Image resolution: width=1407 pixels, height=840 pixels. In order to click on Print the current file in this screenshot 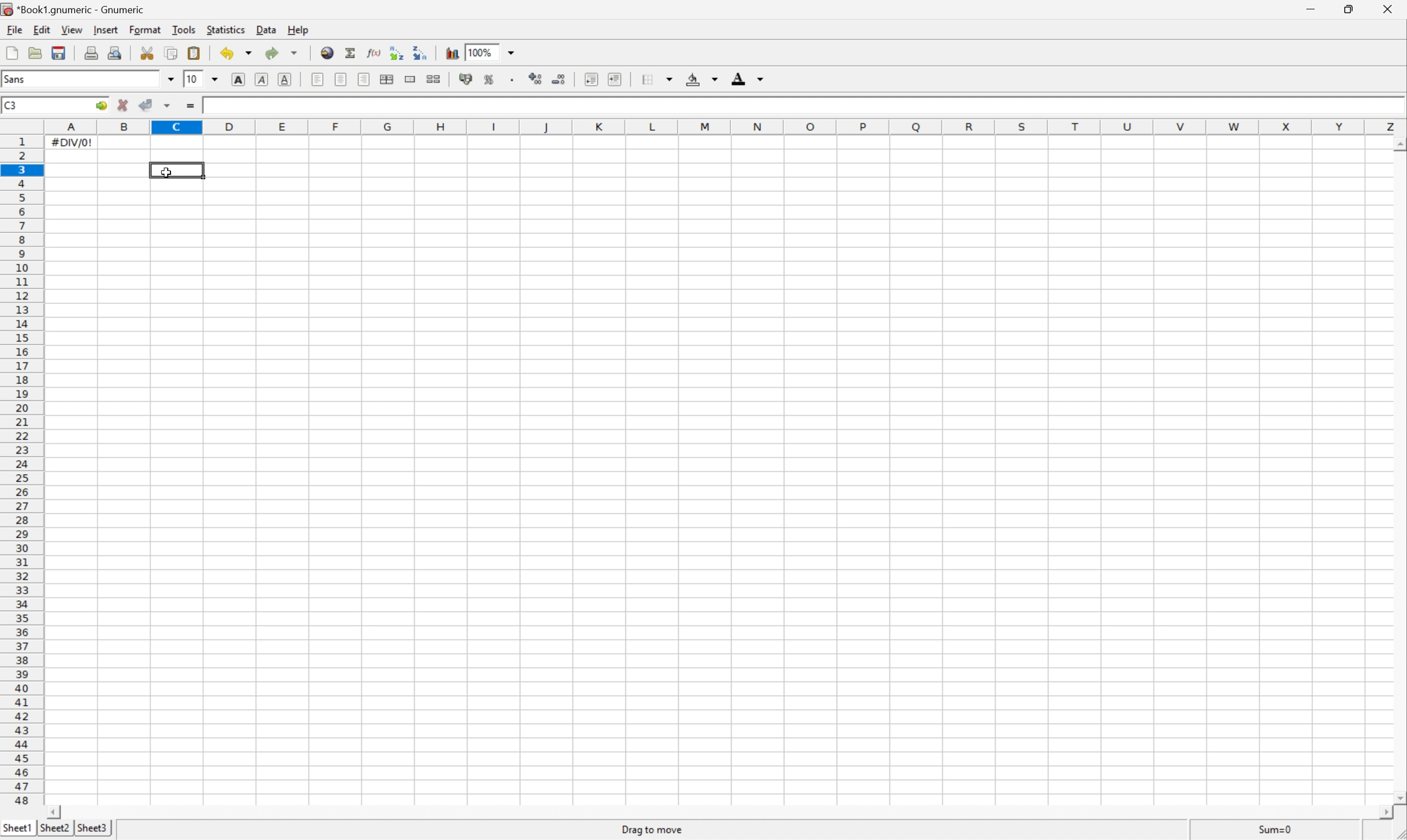, I will do `click(93, 53)`.